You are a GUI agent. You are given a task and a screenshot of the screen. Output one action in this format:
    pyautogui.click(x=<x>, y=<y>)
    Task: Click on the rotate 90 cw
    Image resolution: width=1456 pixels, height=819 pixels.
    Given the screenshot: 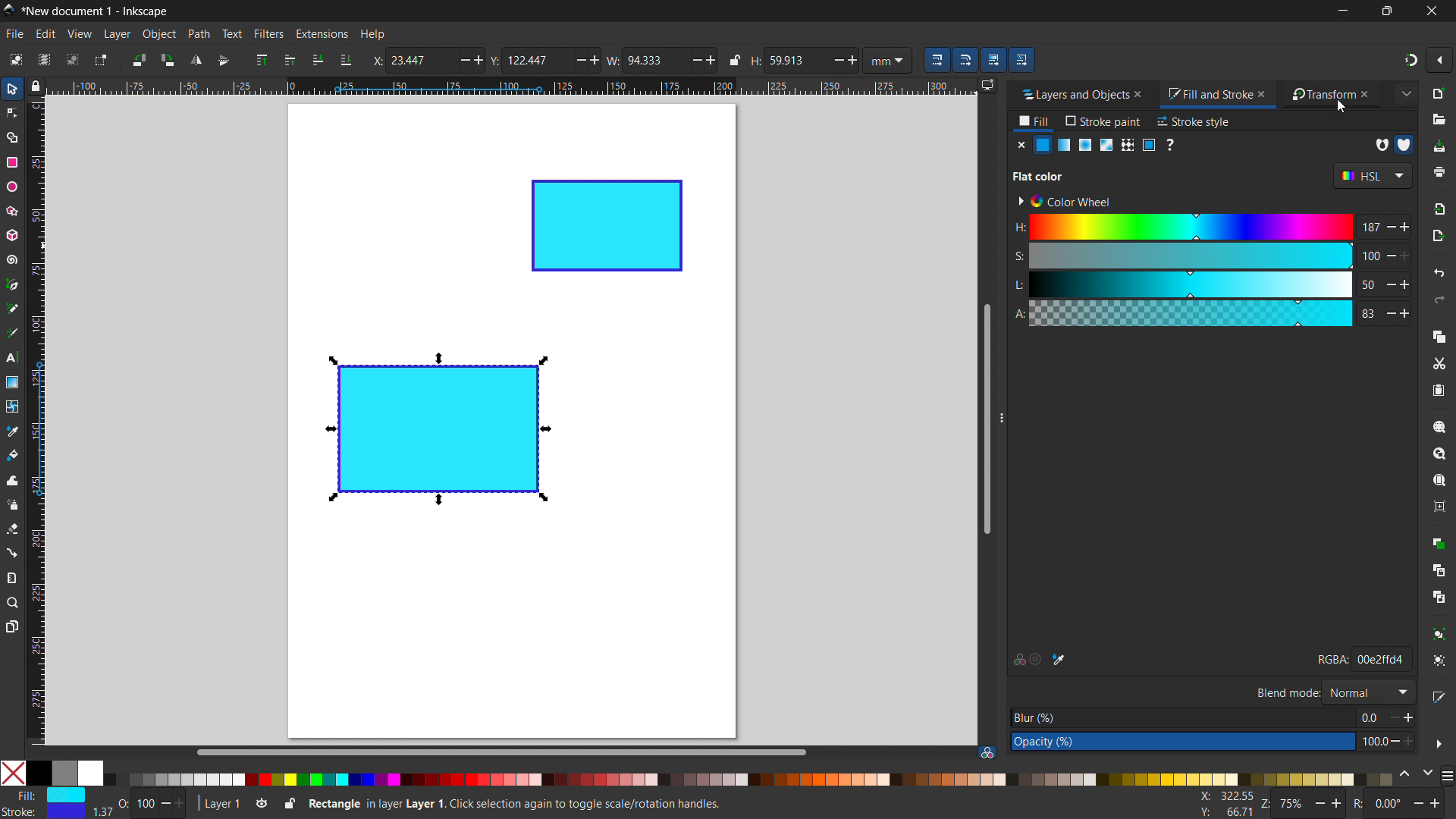 What is the action you would take?
    pyautogui.click(x=167, y=60)
    